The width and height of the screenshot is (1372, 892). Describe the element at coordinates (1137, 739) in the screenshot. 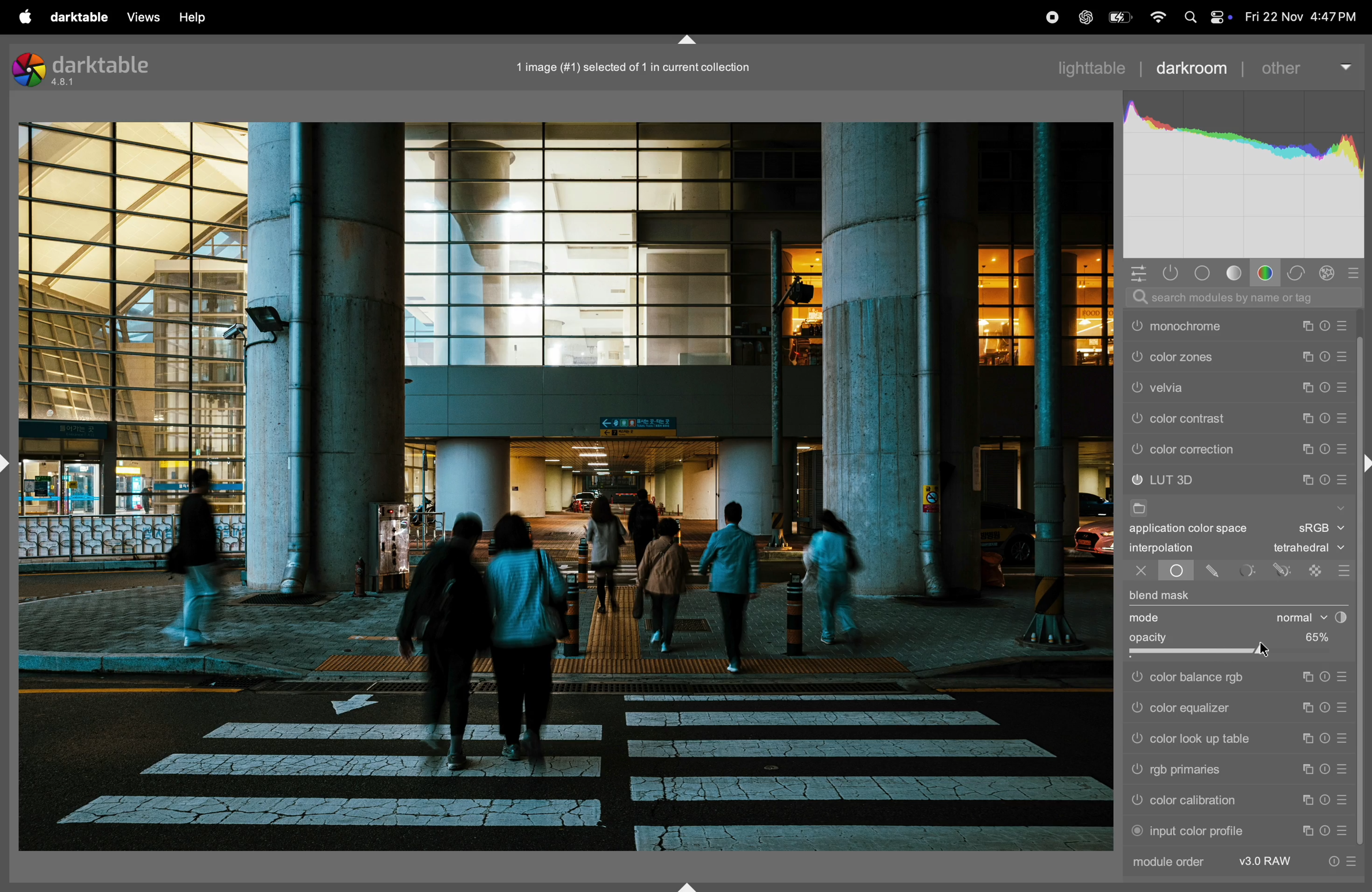

I see `` at that location.